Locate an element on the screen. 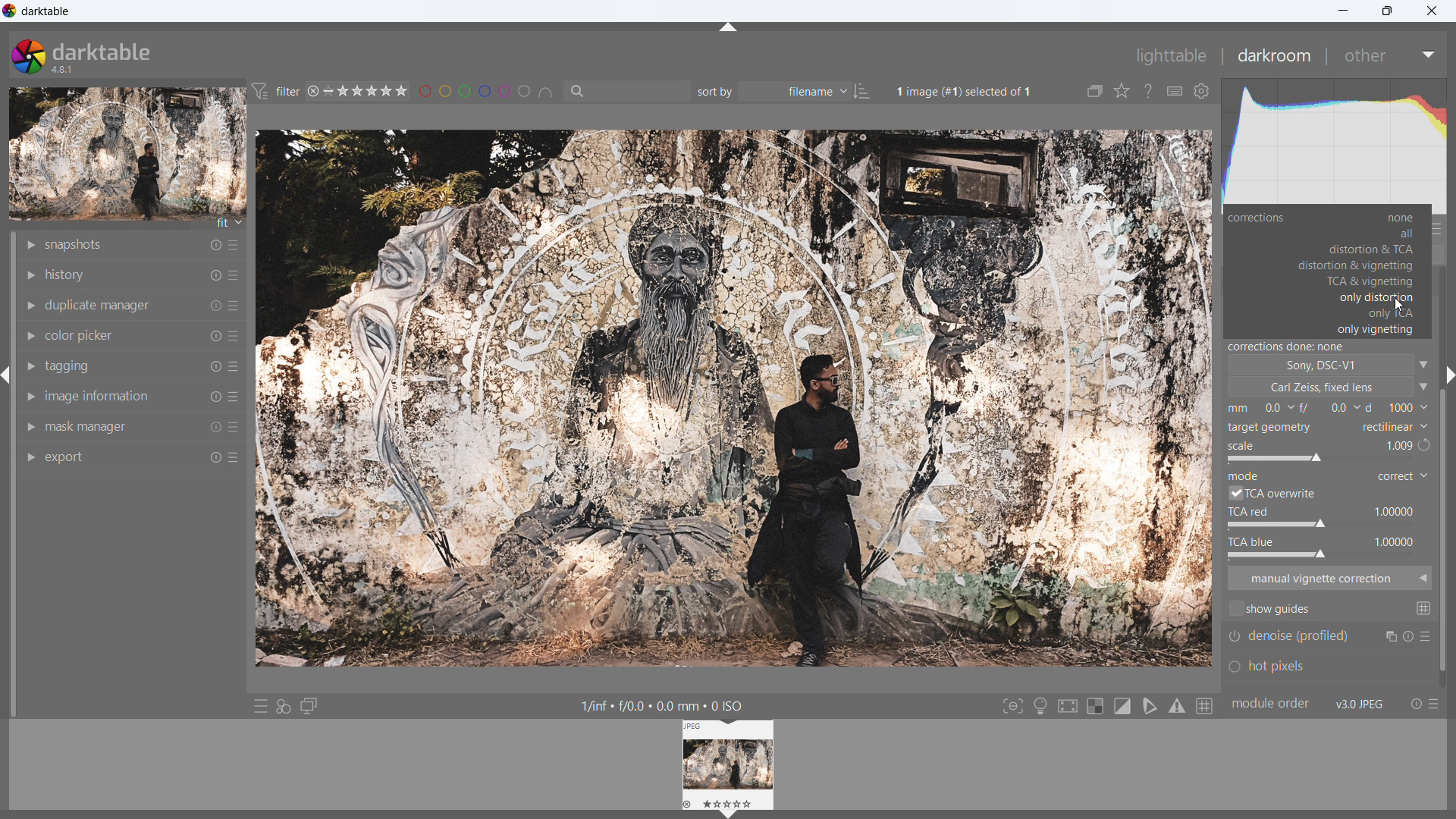 The width and height of the screenshot is (1456, 819). mask manager is located at coordinates (86, 427).